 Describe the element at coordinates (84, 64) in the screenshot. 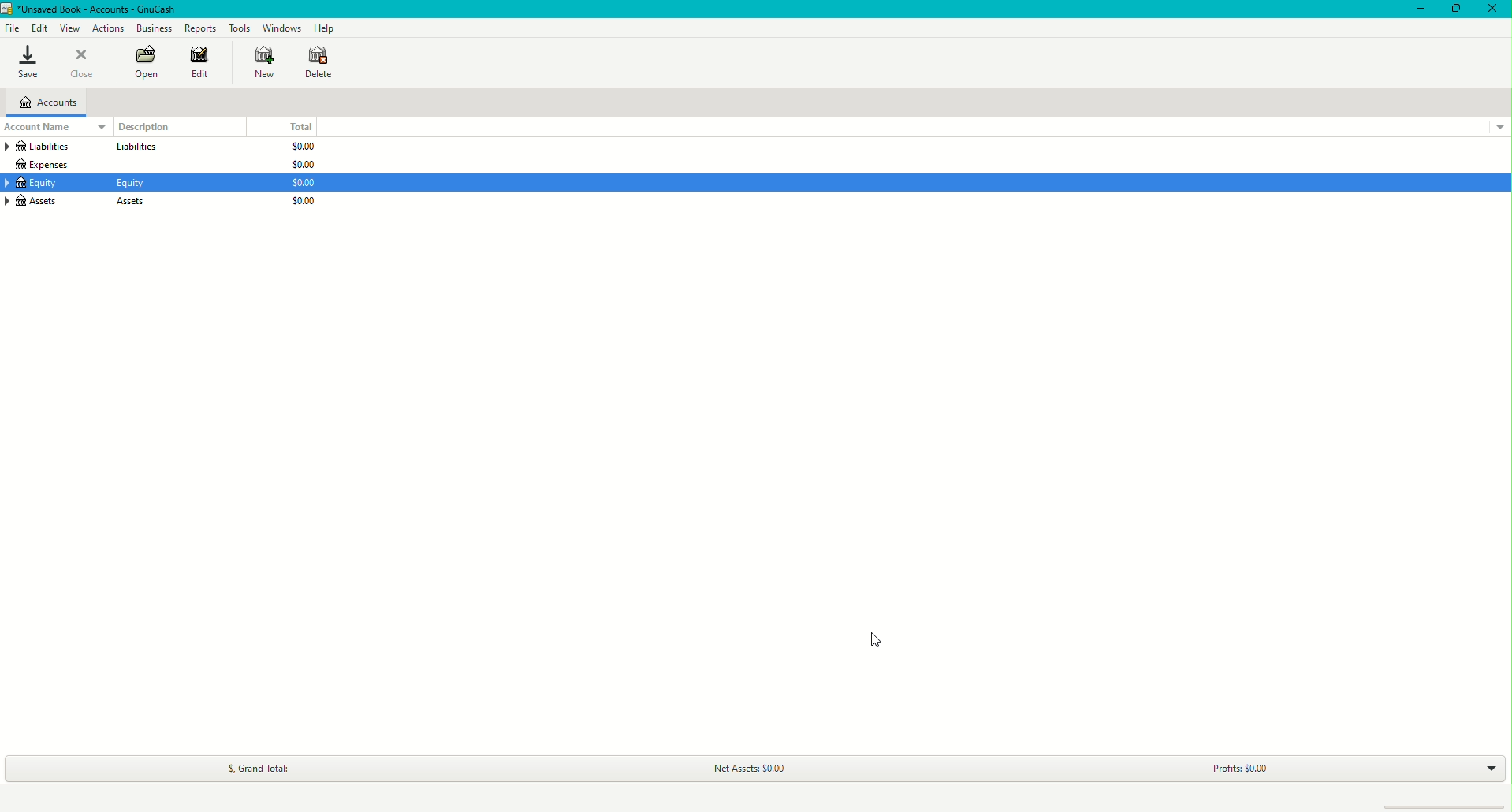

I see `Close` at that location.